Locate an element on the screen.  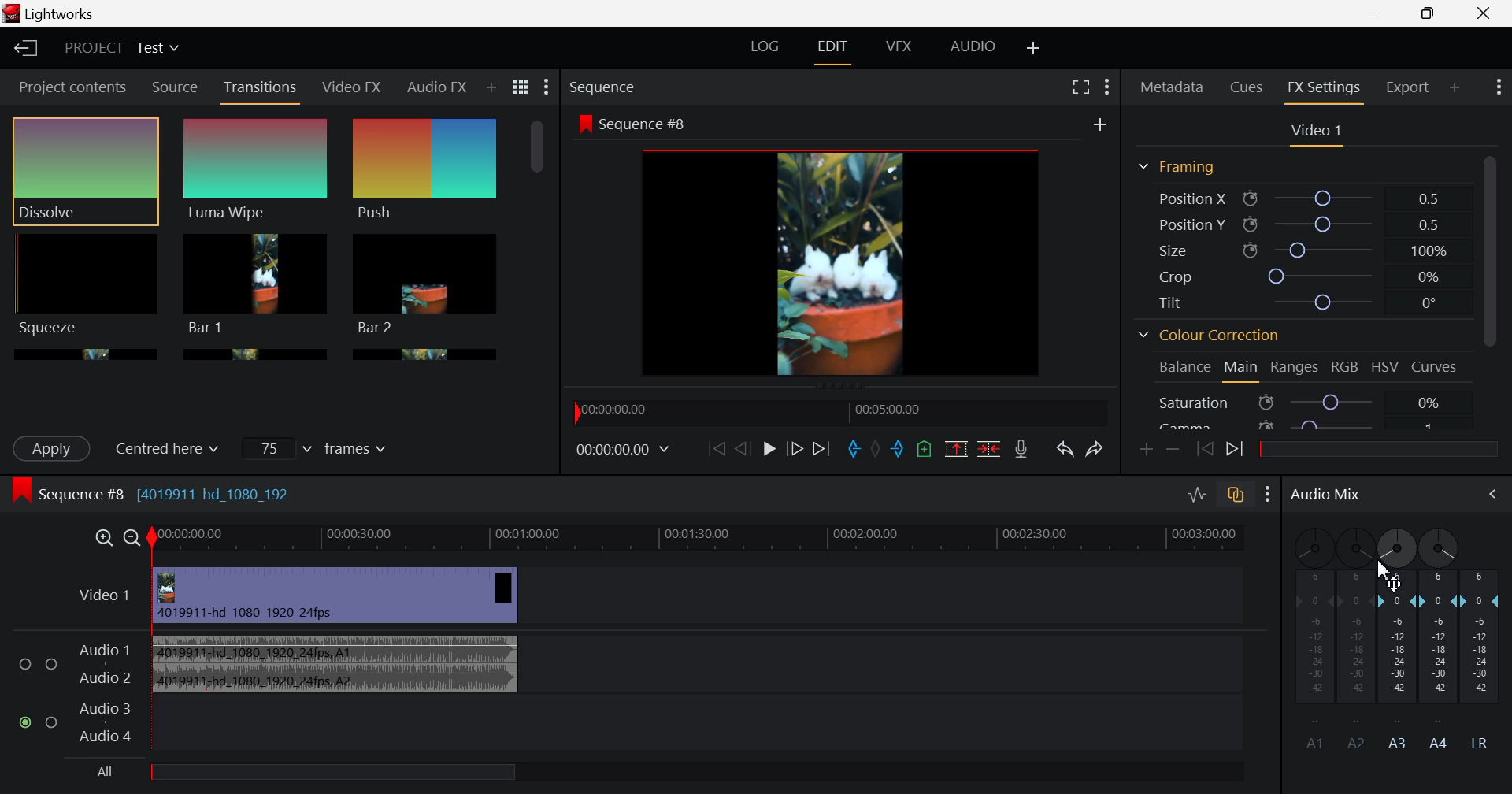
Framing Section is located at coordinates (1180, 167).